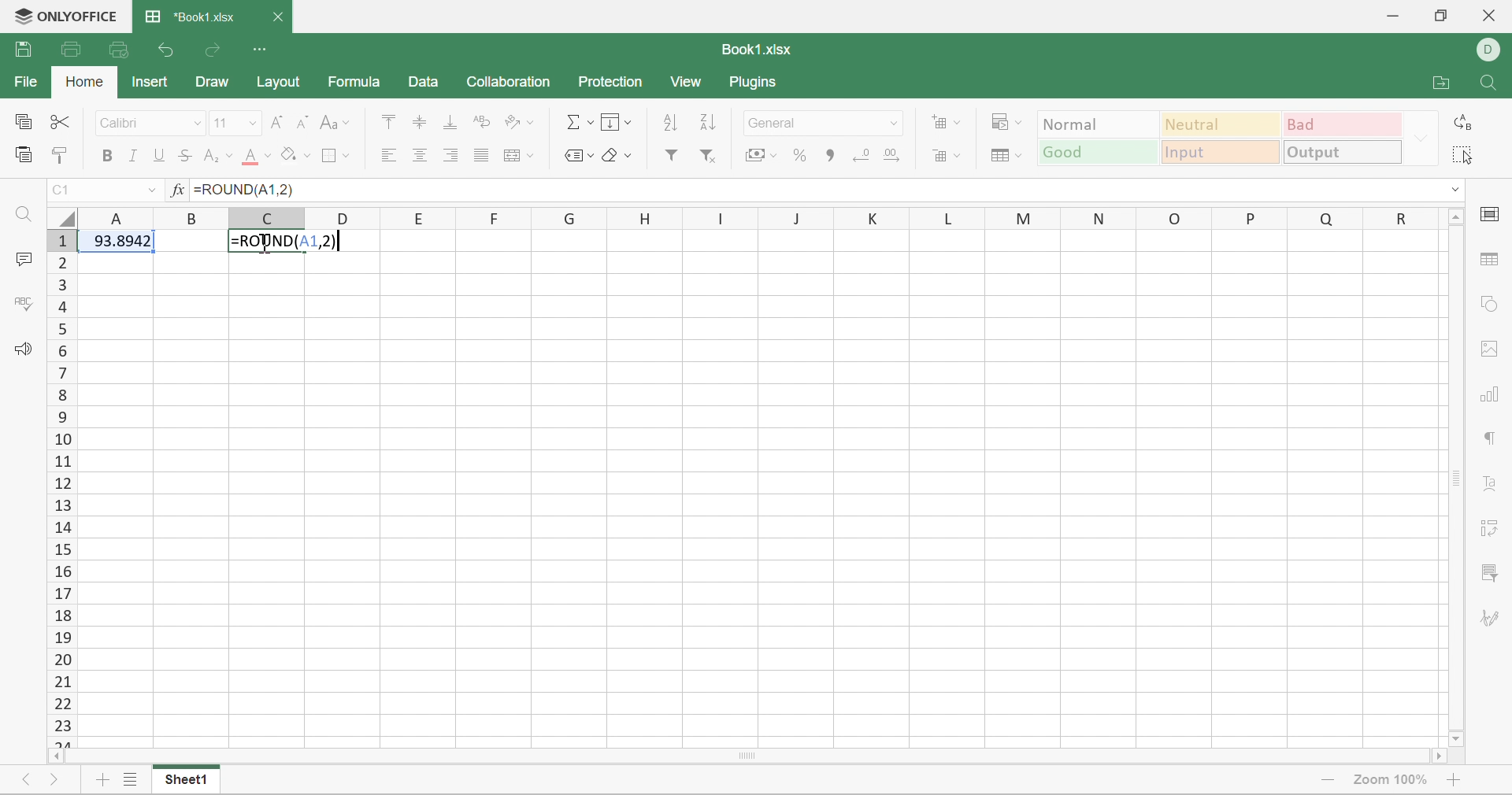 The width and height of the screenshot is (1512, 795). What do you see at coordinates (758, 48) in the screenshot?
I see `Book1.xlsx` at bounding box center [758, 48].